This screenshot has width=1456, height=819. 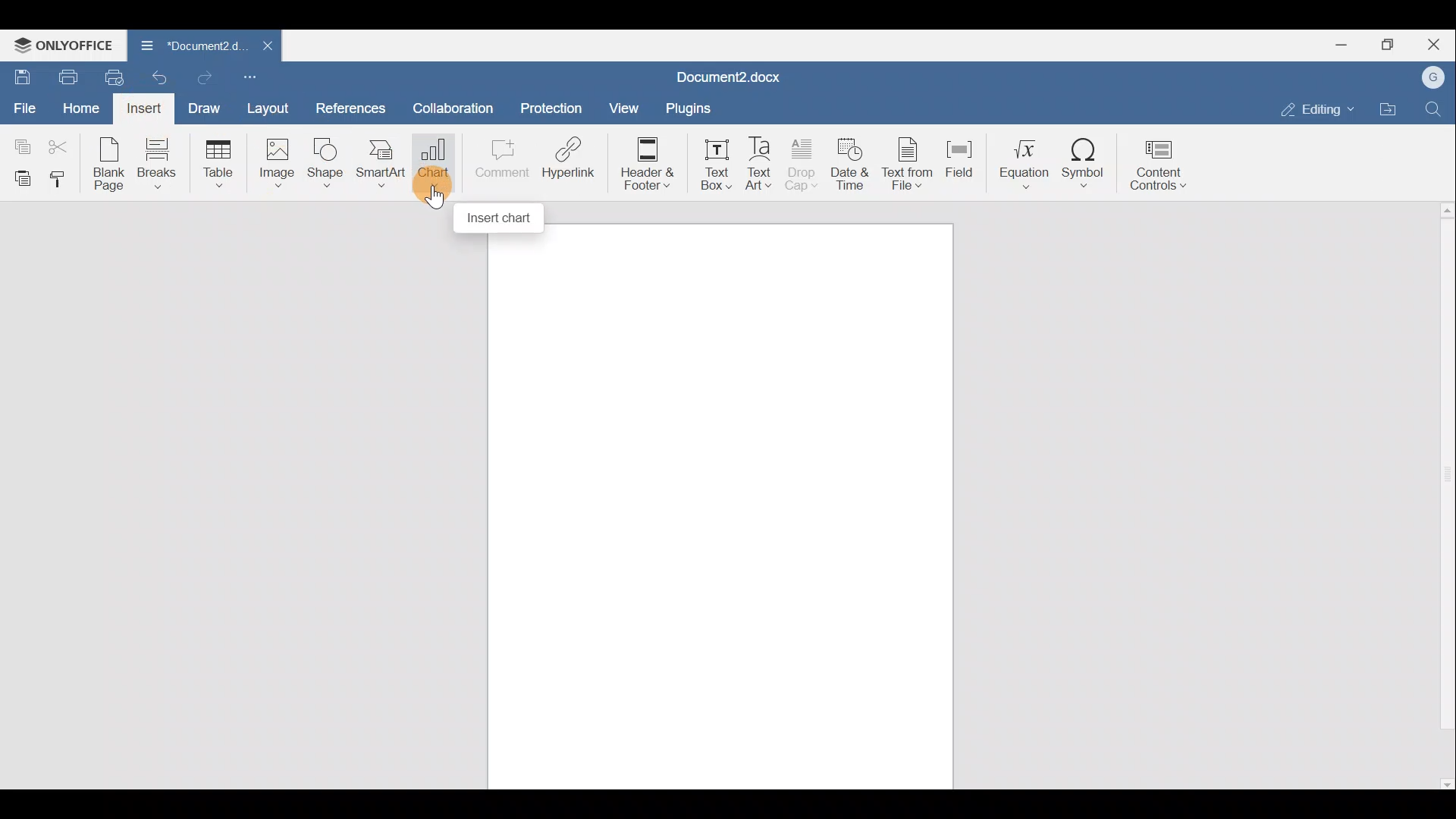 What do you see at coordinates (218, 161) in the screenshot?
I see `Table` at bounding box center [218, 161].